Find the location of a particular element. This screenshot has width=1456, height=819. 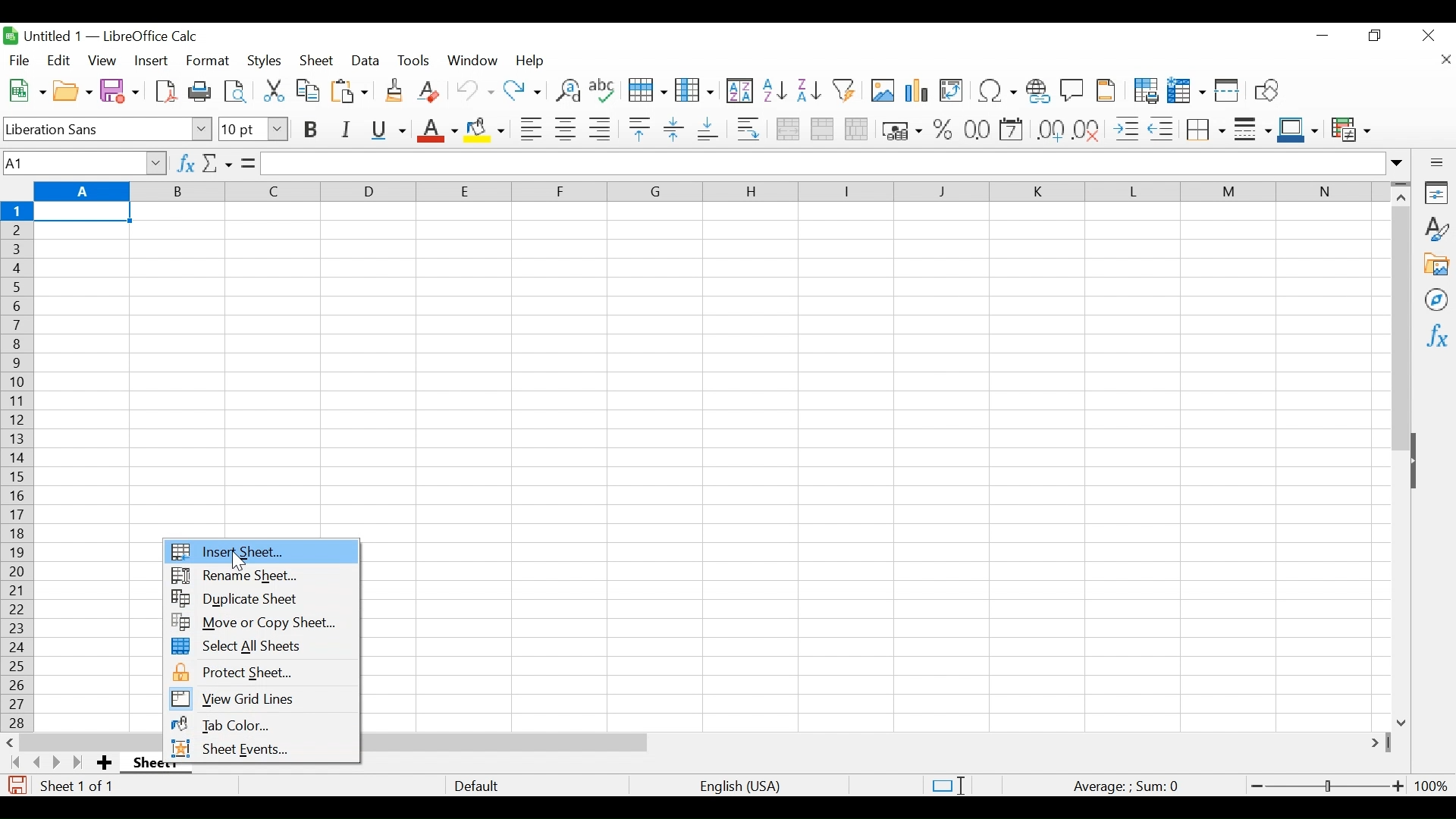

Save is located at coordinates (119, 89).